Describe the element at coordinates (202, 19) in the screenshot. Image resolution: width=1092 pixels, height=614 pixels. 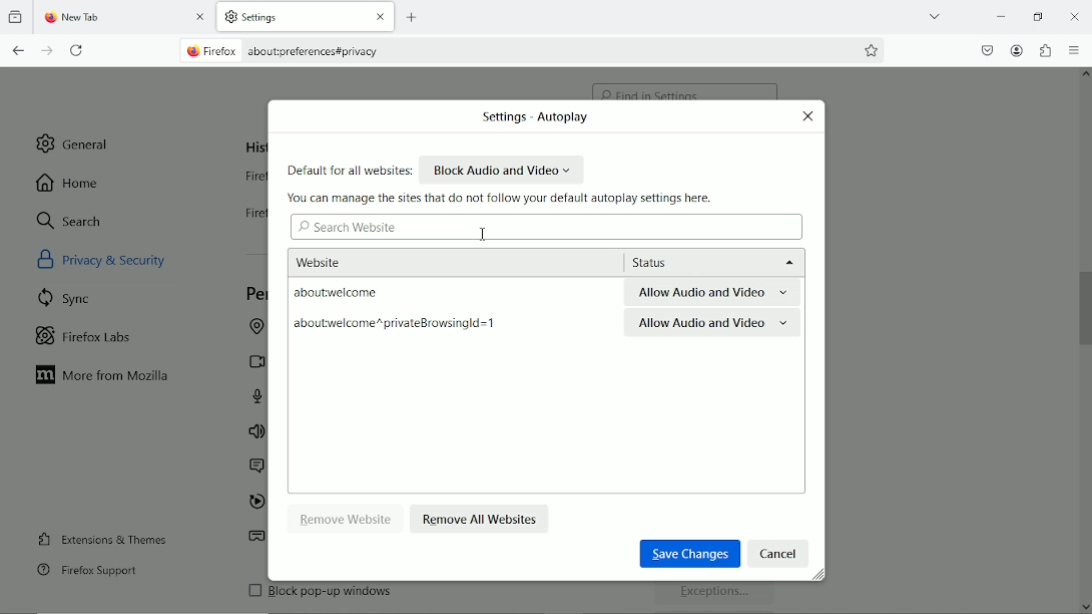
I see `close` at that location.